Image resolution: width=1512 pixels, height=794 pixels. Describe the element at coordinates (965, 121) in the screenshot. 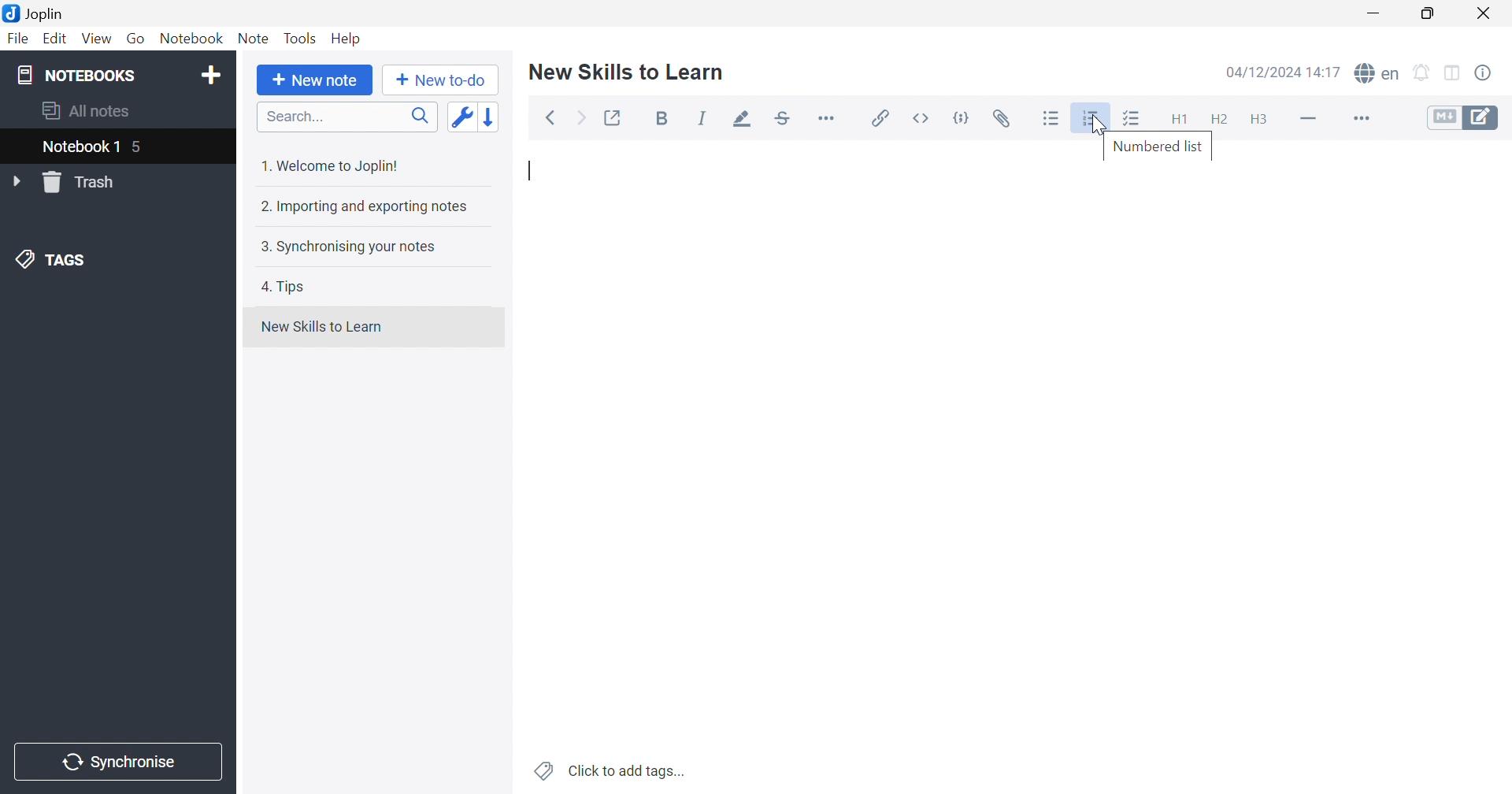

I see `Code Block` at that location.